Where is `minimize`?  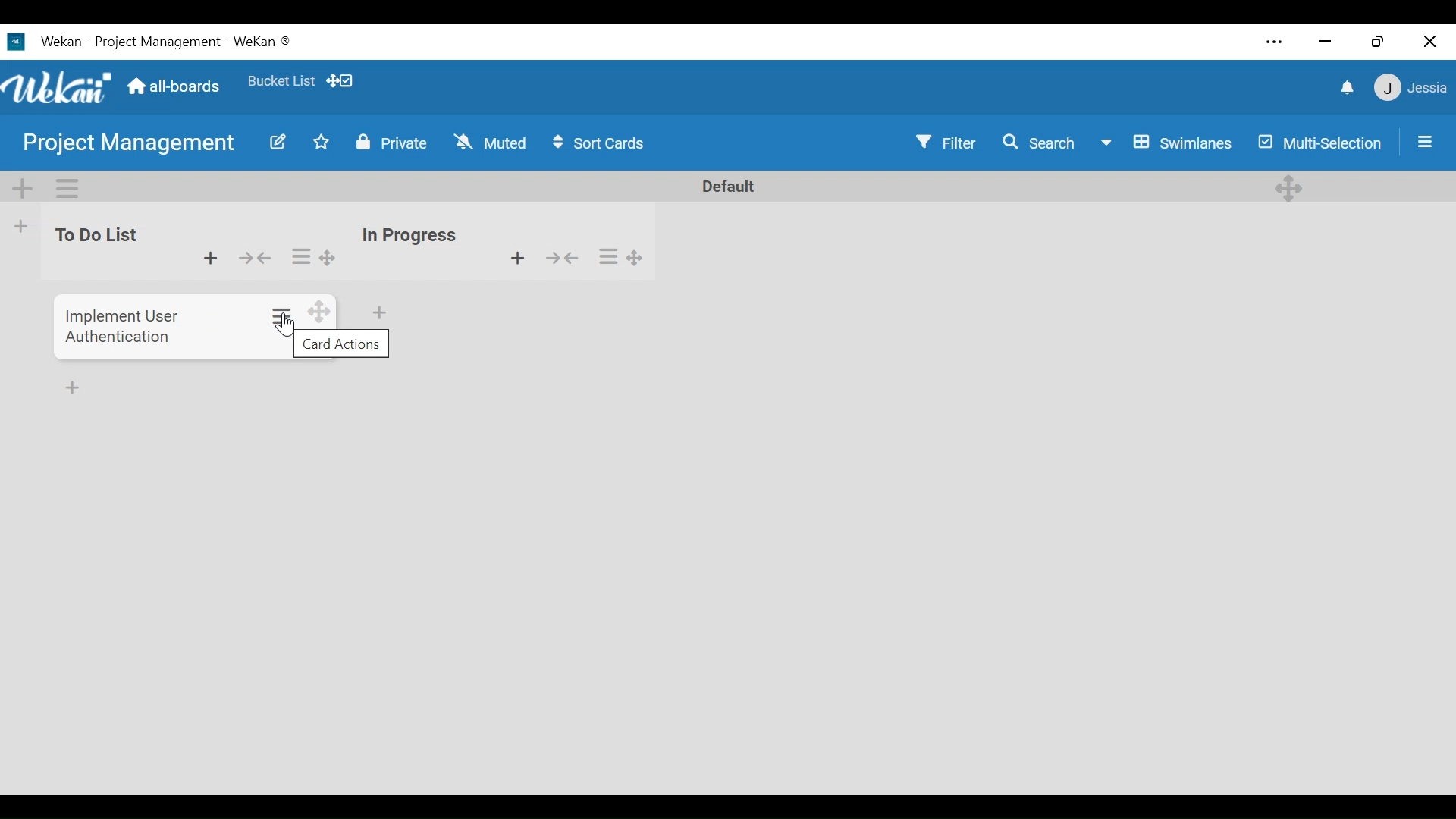 minimize is located at coordinates (1328, 43).